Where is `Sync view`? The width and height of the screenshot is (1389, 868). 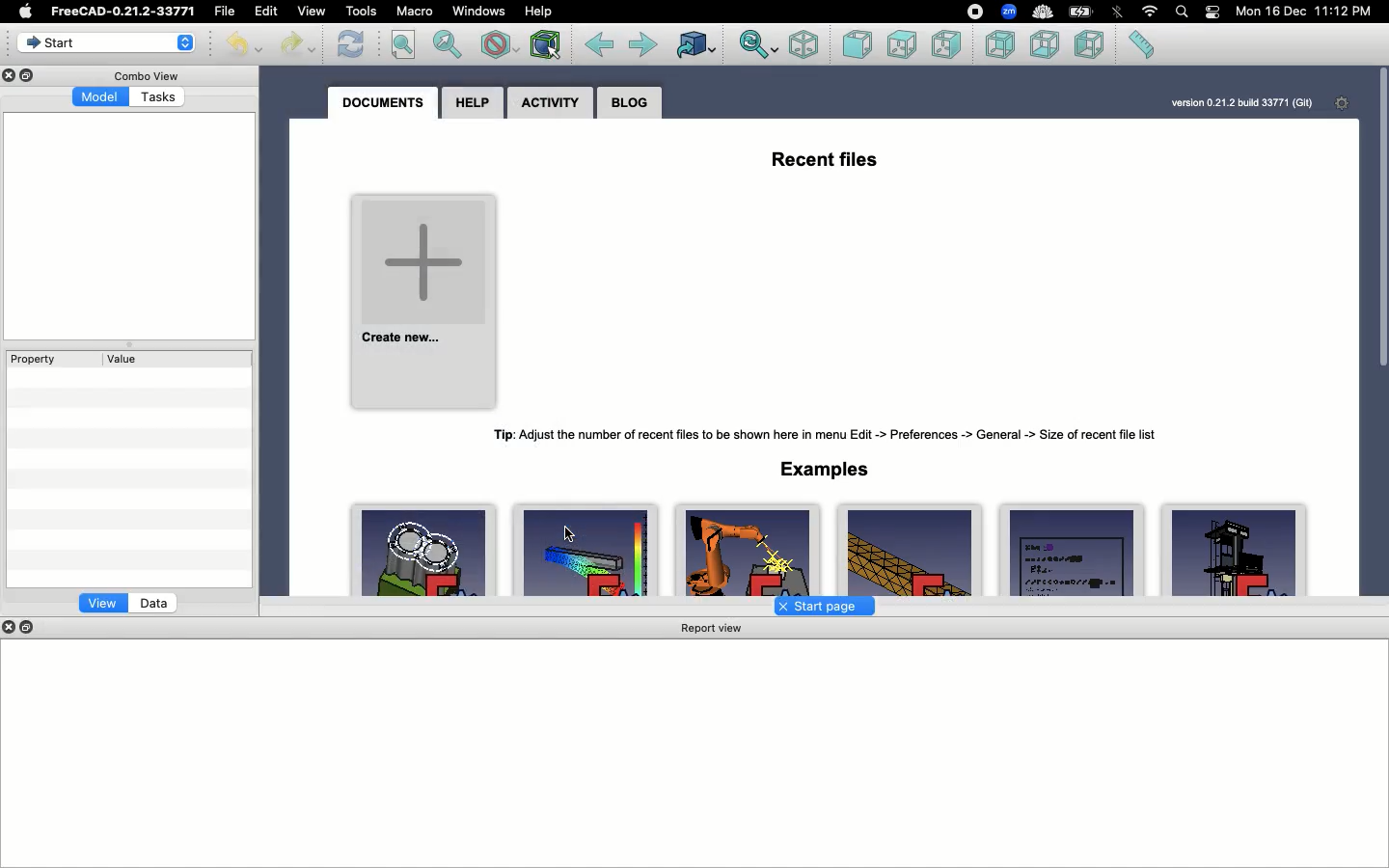
Sync view is located at coordinates (760, 46).